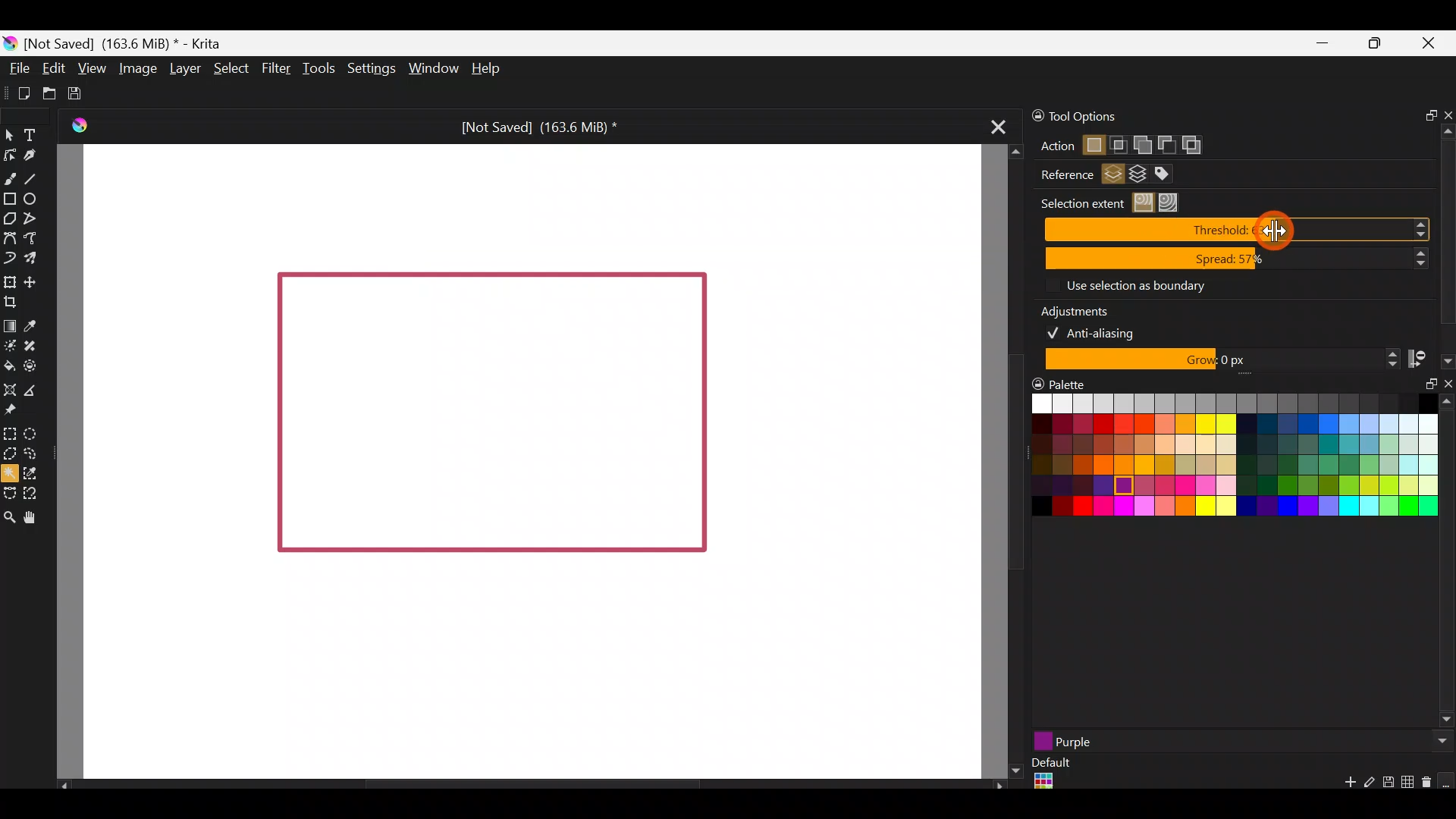 The height and width of the screenshot is (819, 1456). What do you see at coordinates (1170, 174) in the screenshot?
I see `Select regions from the merging of layers with specific colours` at bounding box center [1170, 174].